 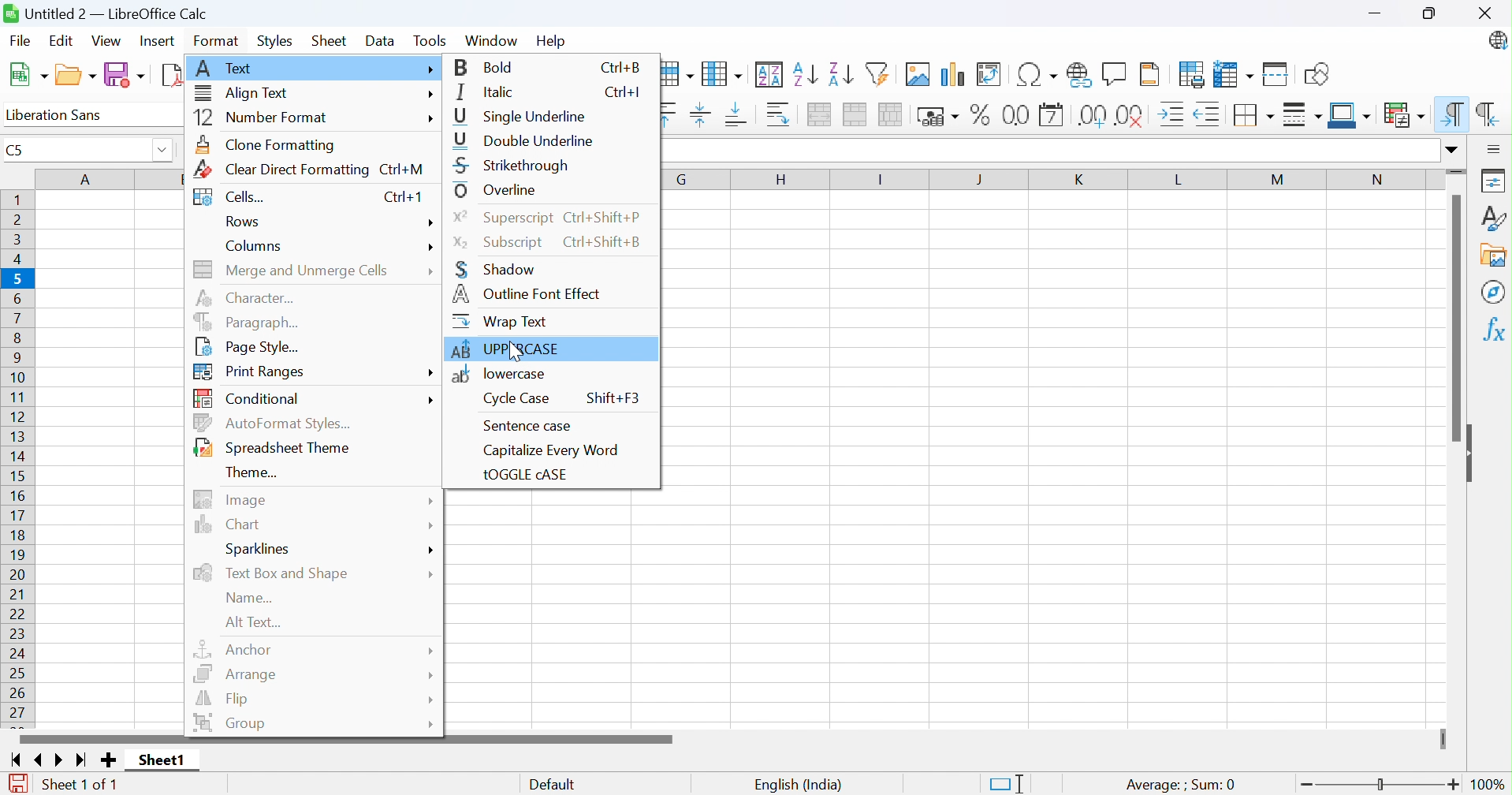 What do you see at coordinates (236, 650) in the screenshot?
I see `Anchor` at bounding box center [236, 650].